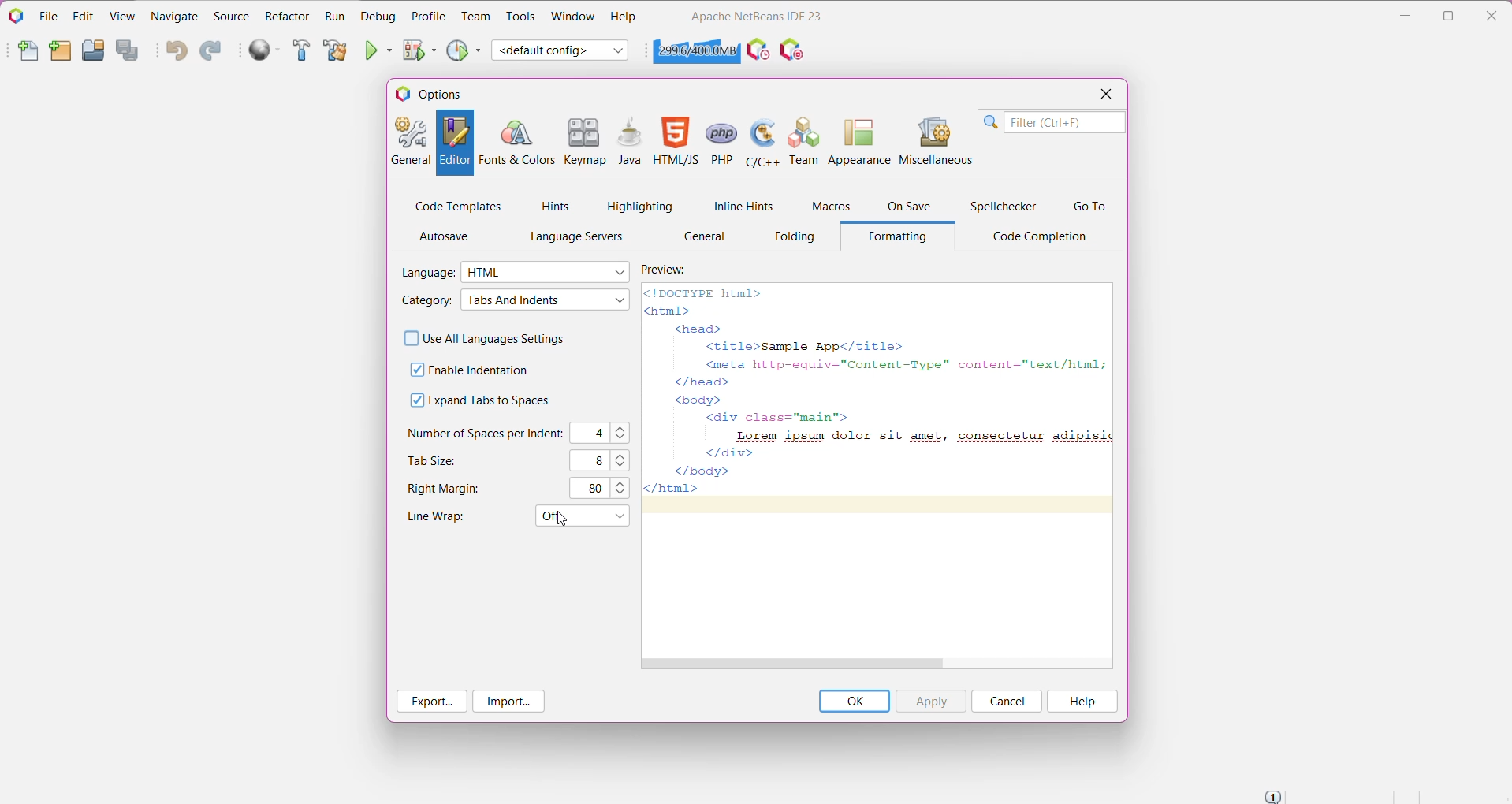  Describe the element at coordinates (210, 52) in the screenshot. I see `Redo` at that location.